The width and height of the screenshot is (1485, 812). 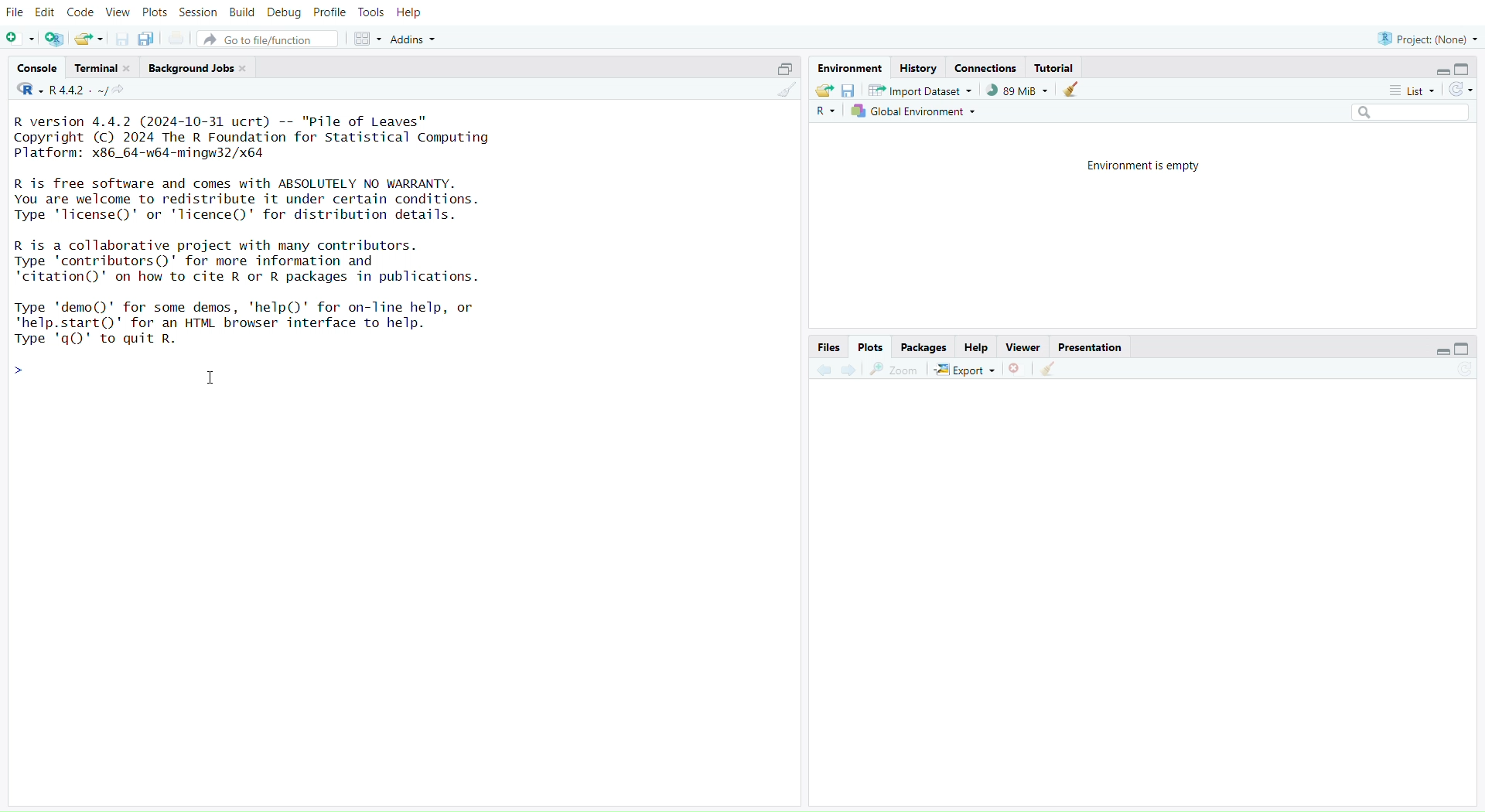 What do you see at coordinates (153, 12) in the screenshot?
I see `Plots` at bounding box center [153, 12].